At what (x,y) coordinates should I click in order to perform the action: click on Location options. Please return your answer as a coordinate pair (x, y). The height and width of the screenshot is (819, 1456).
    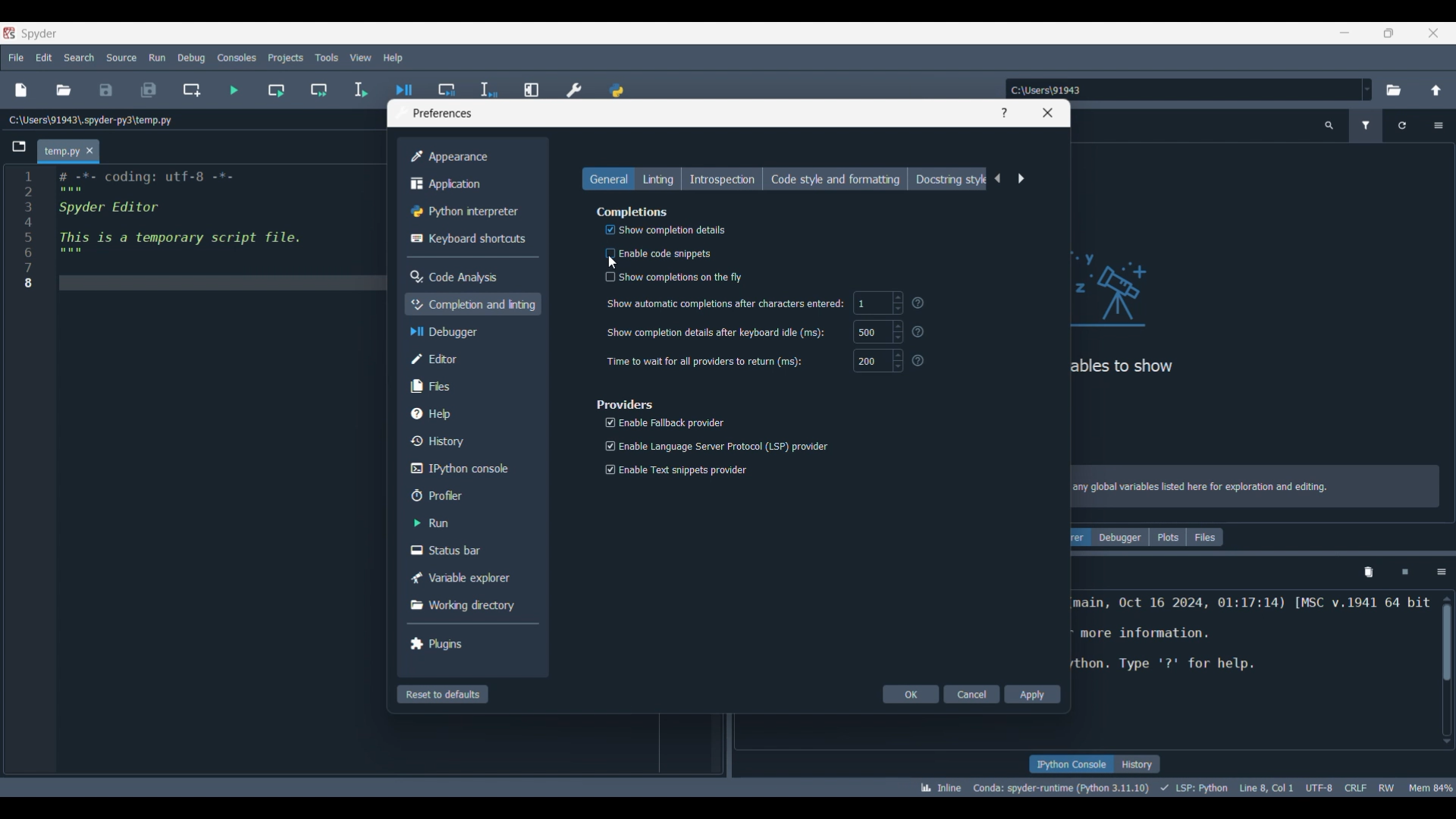
    Looking at the image, I should click on (1367, 89).